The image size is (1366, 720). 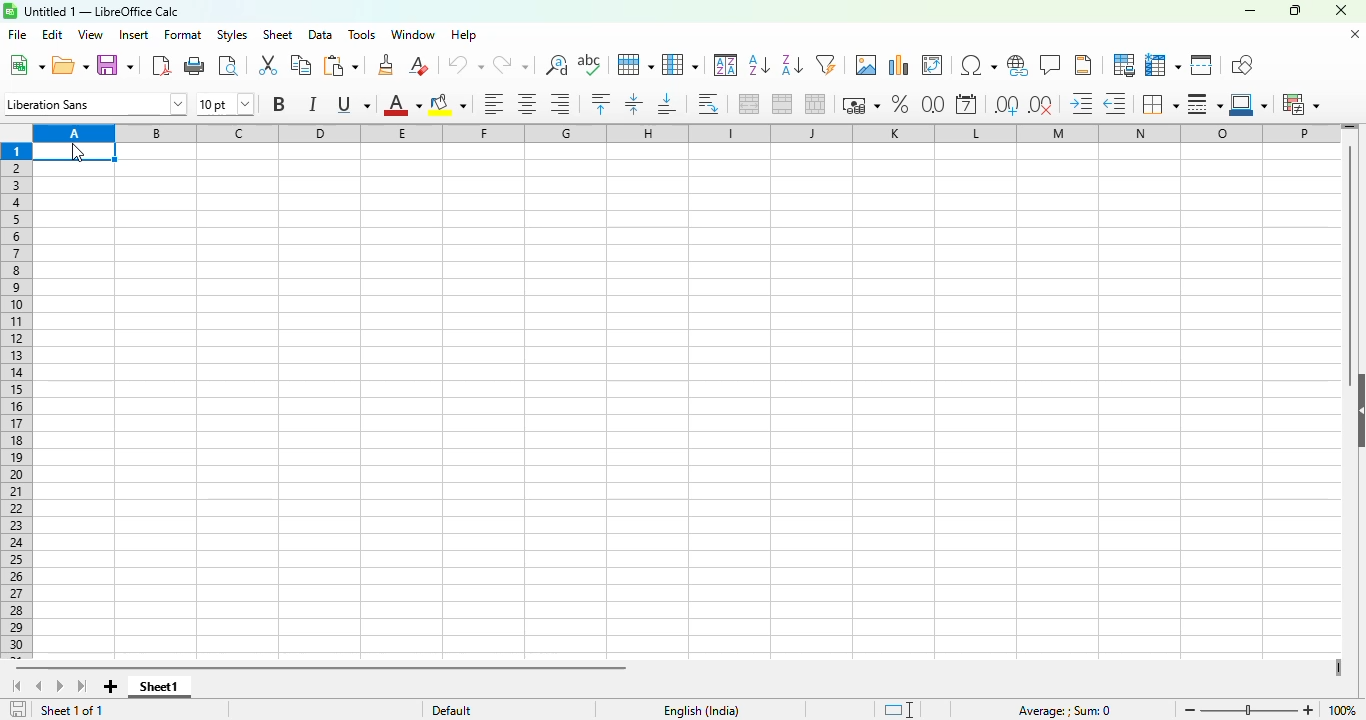 What do you see at coordinates (278, 35) in the screenshot?
I see `sheet` at bounding box center [278, 35].